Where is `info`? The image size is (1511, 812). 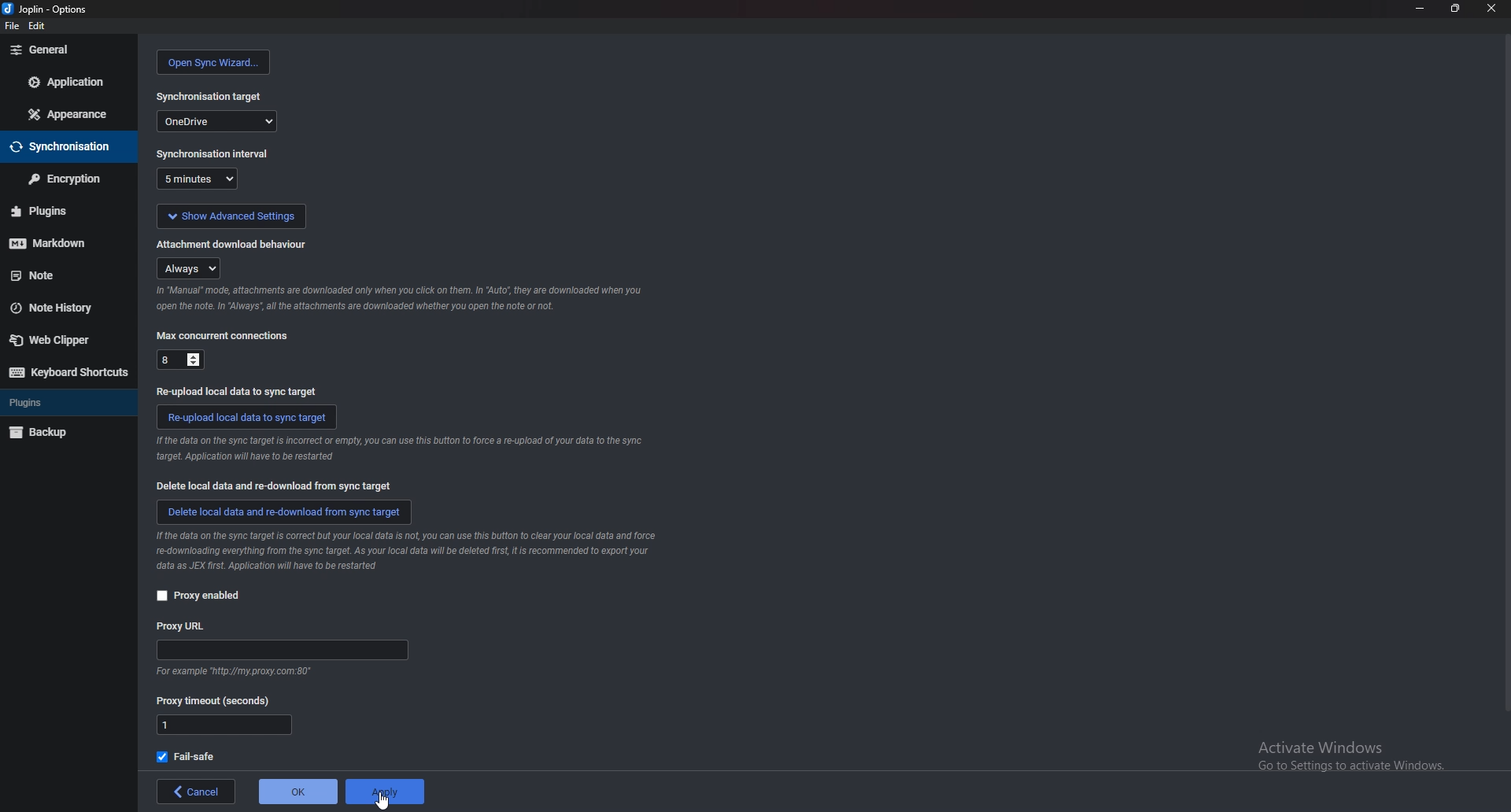 info is located at coordinates (238, 670).